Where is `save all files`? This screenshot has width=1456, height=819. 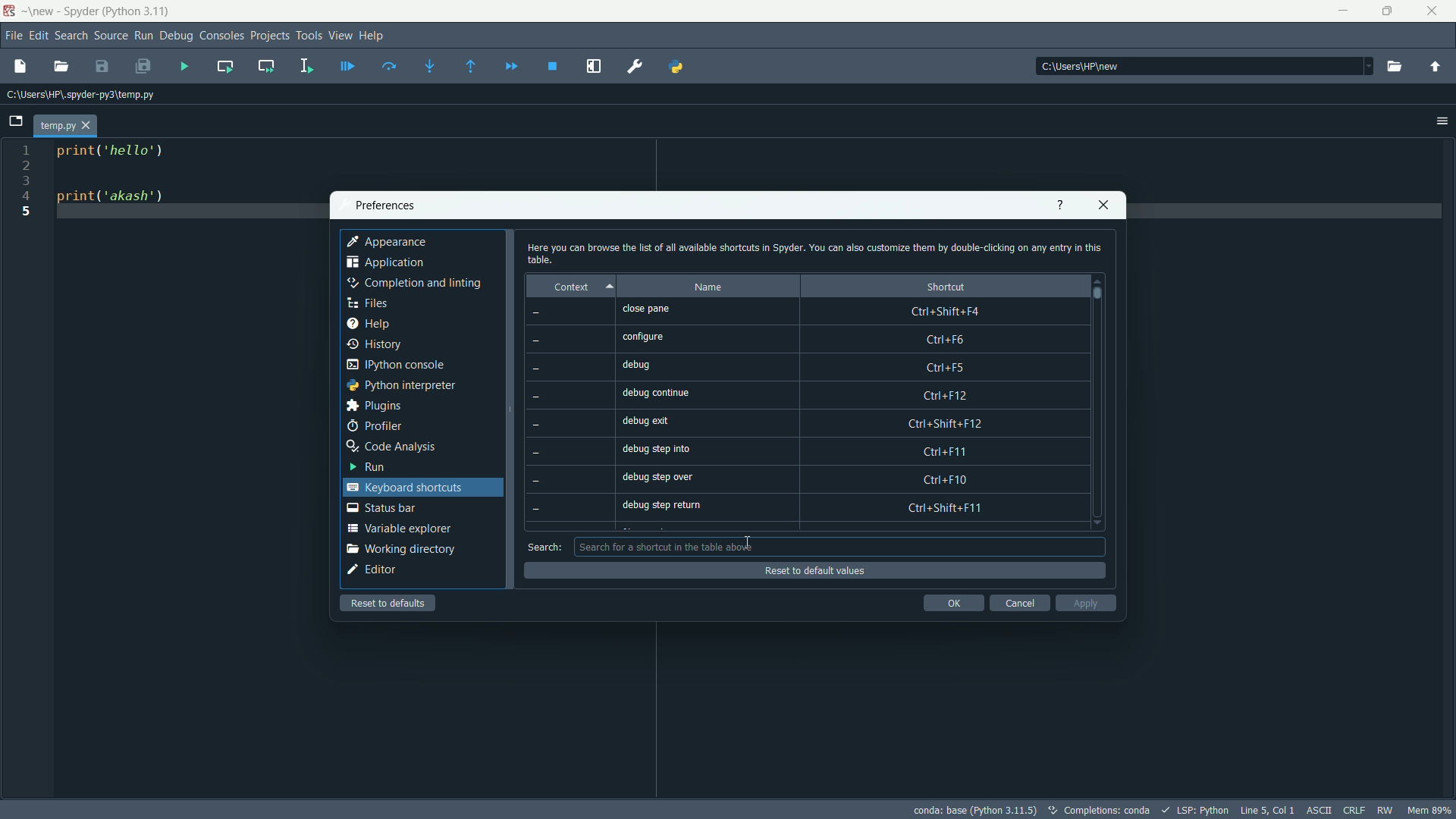 save all files is located at coordinates (143, 65).